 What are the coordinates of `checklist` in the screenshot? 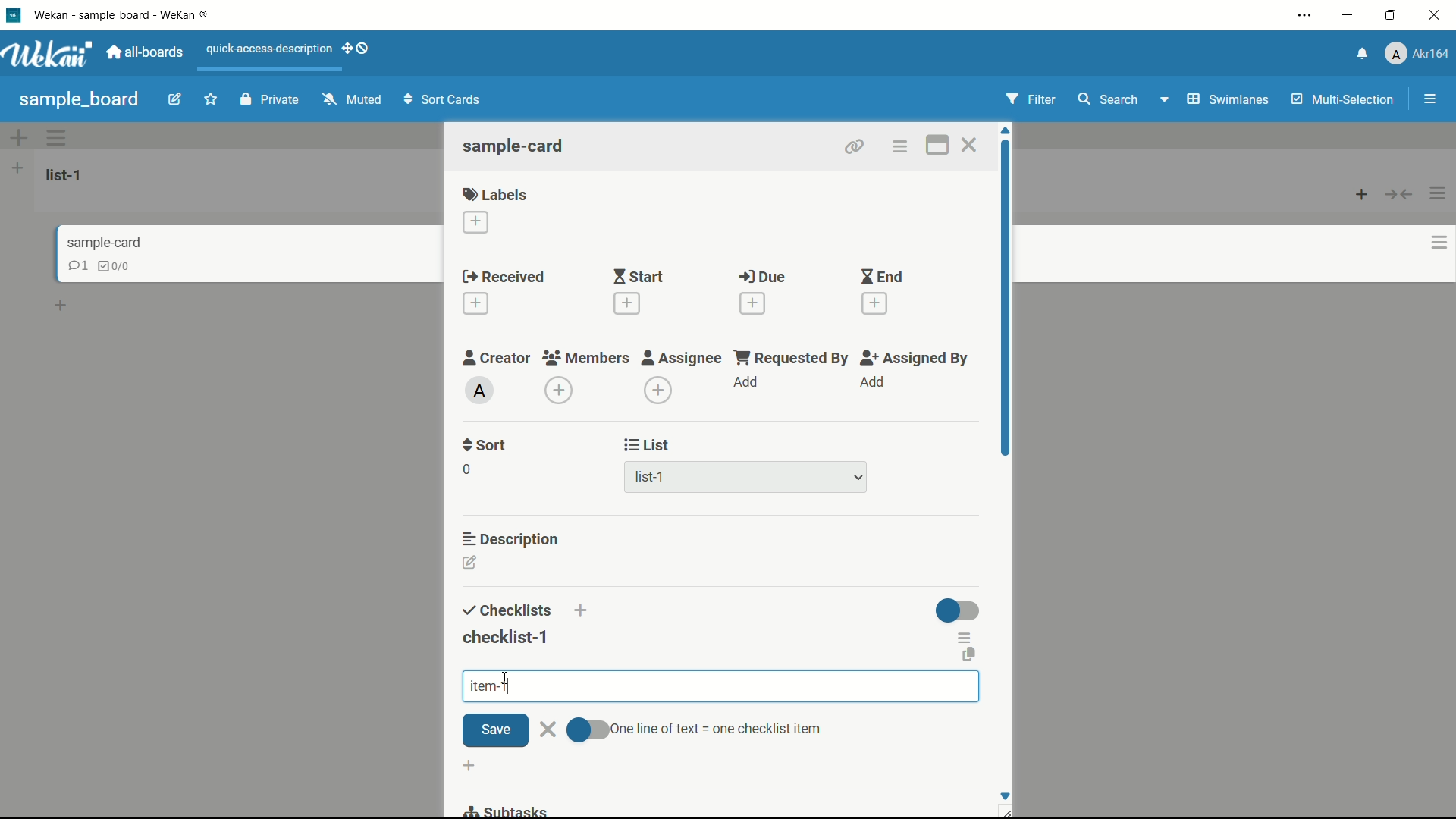 It's located at (116, 265).